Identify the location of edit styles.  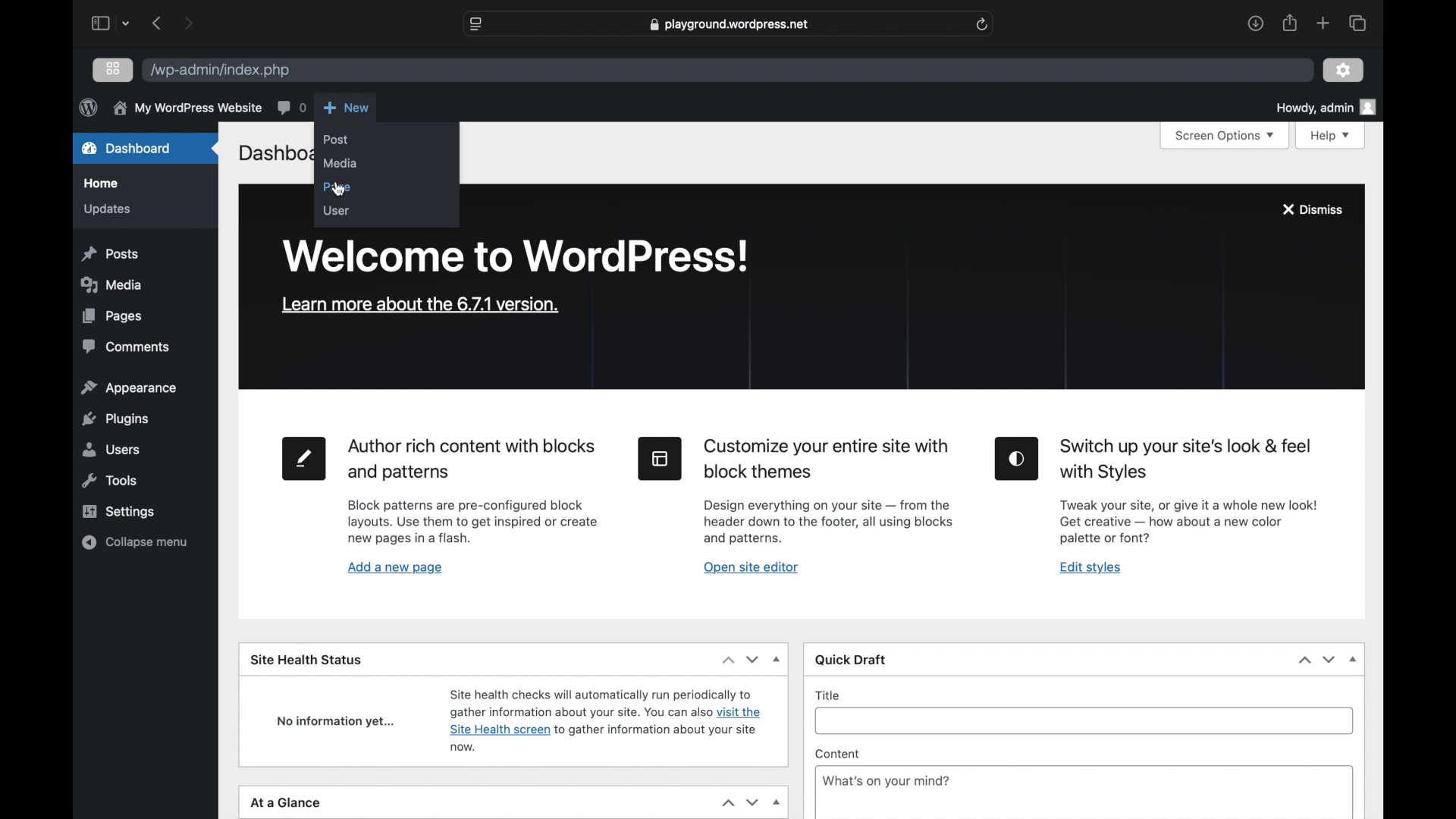
(1091, 569).